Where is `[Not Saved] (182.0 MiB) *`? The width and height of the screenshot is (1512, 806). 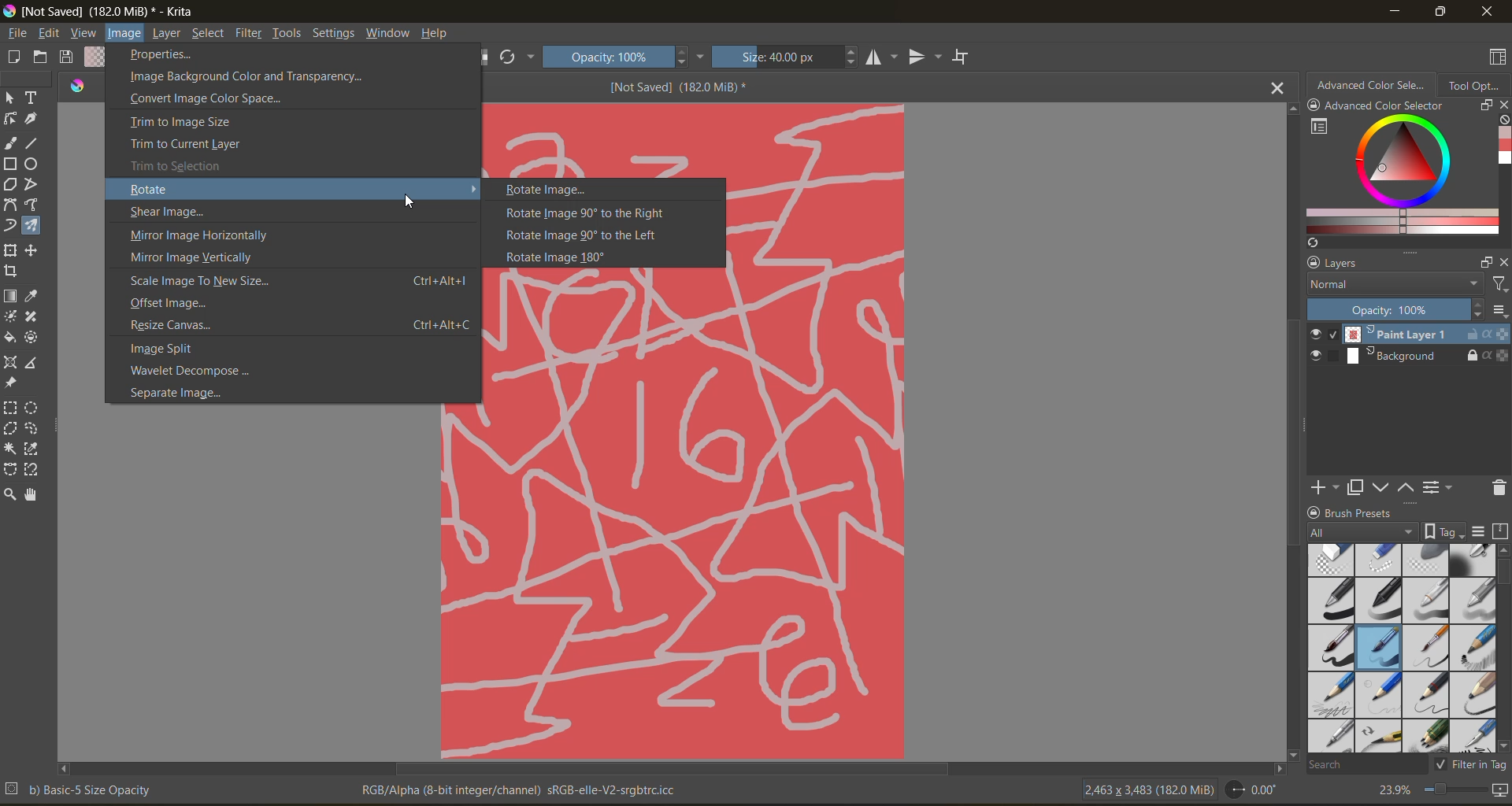 [Not Saved] (182.0 MiB) * is located at coordinates (679, 86).